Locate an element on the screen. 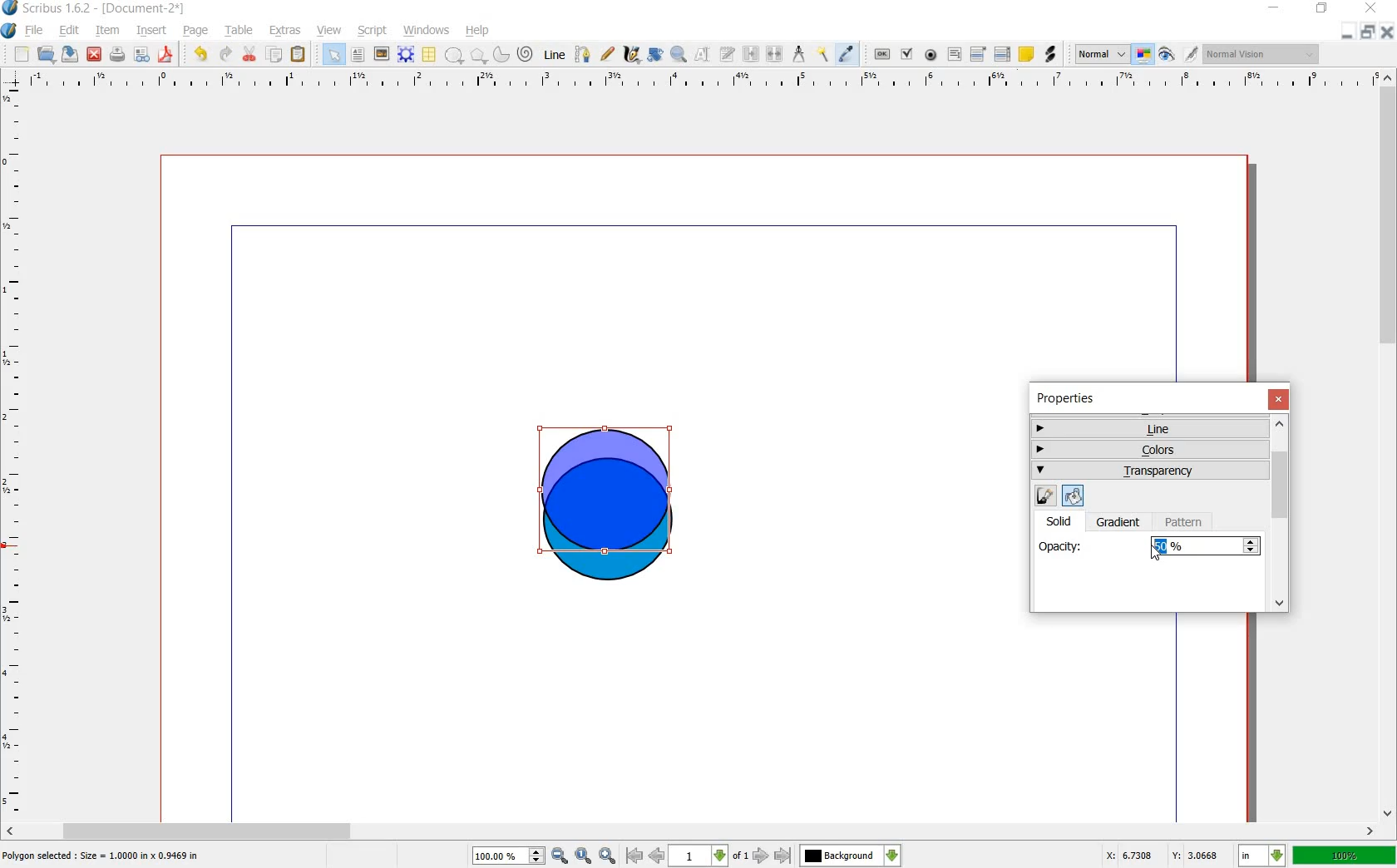 The image size is (1397, 868). close is located at coordinates (1387, 32).